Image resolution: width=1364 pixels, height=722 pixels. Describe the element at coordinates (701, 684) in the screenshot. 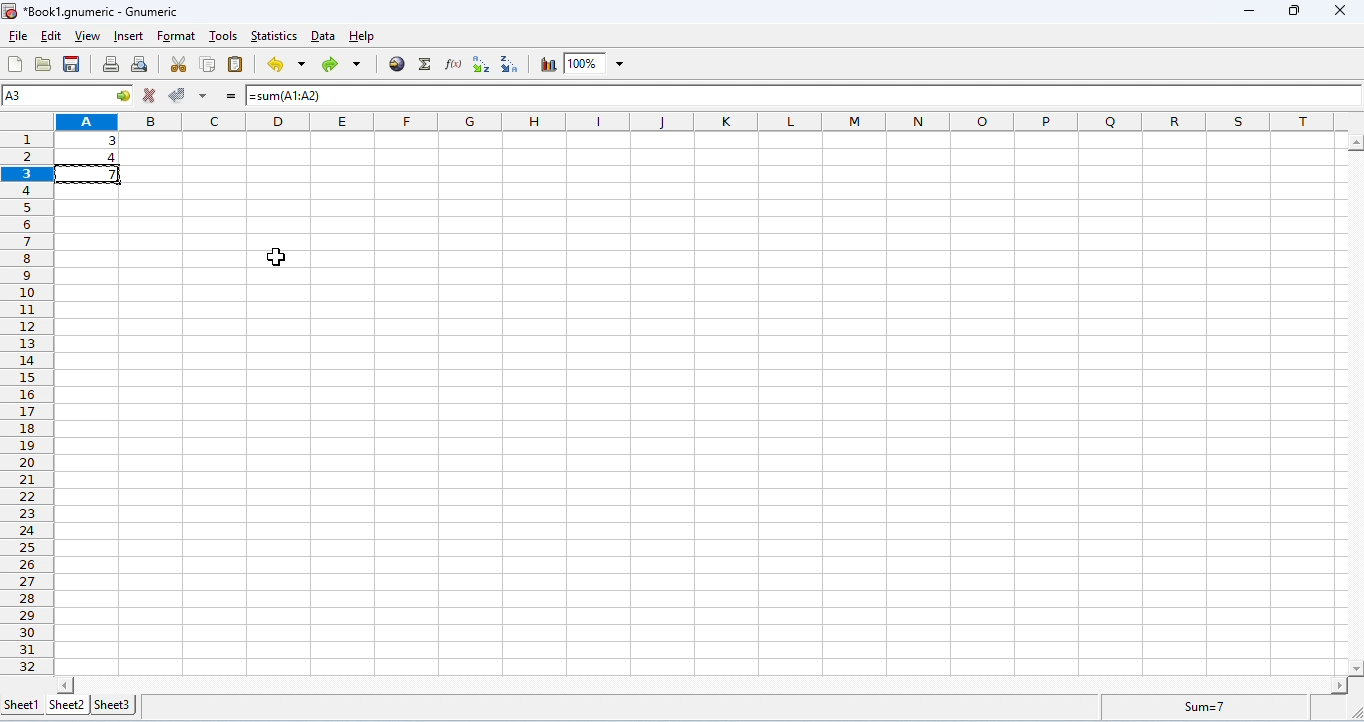

I see `space for horizontal column` at that location.